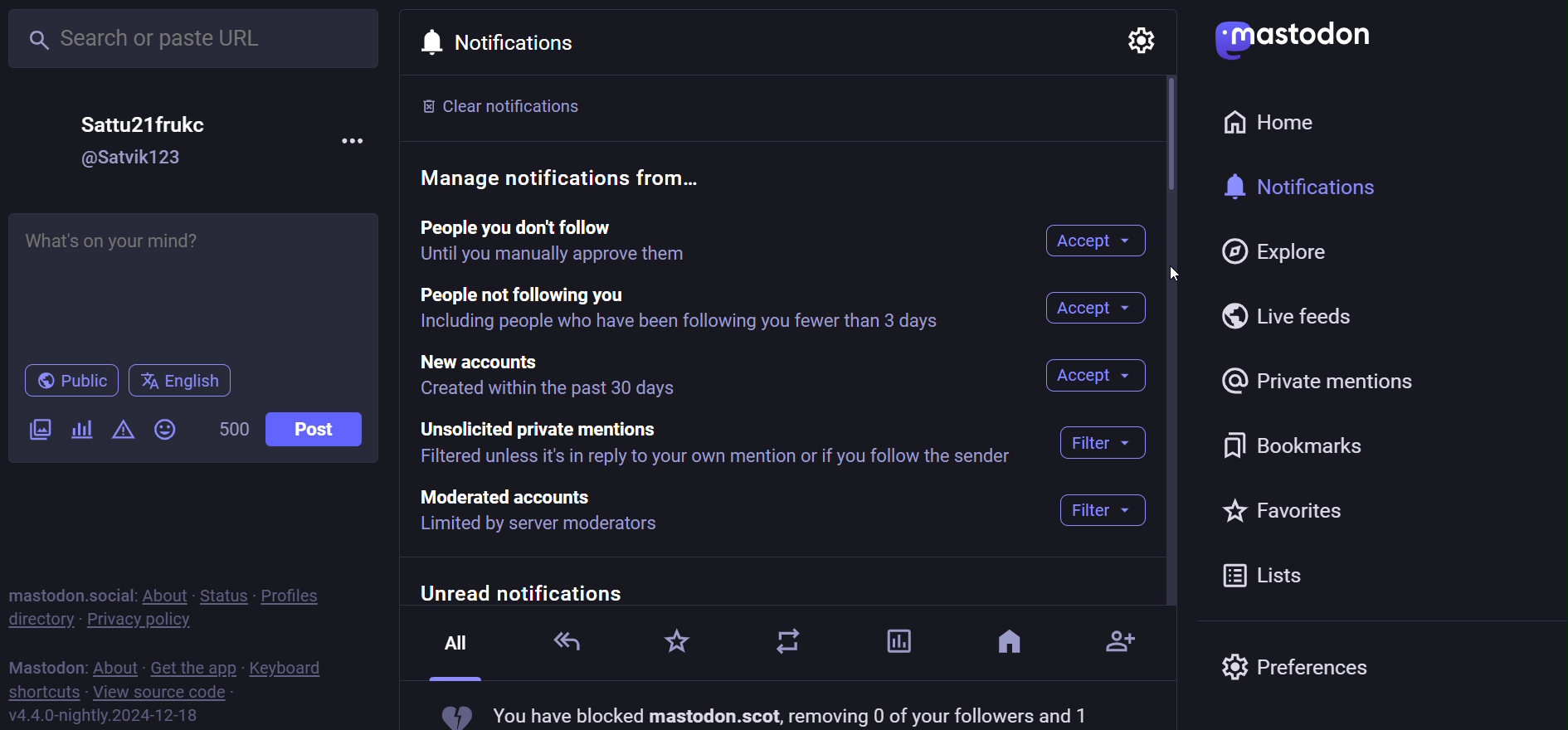 This screenshot has height=730, width=1568. What do you see at coordinates (1297, 671) in the screenshot?
I see `preferences` at bounding box center [1297, 671].